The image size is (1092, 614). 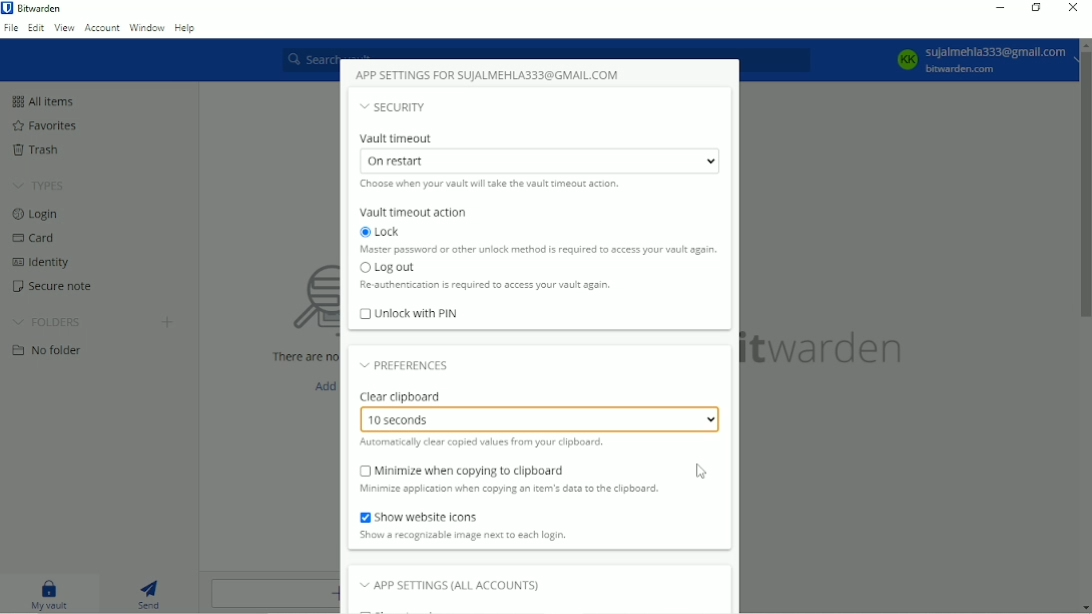 I want to click on Edit, so click(x=37, y=27).